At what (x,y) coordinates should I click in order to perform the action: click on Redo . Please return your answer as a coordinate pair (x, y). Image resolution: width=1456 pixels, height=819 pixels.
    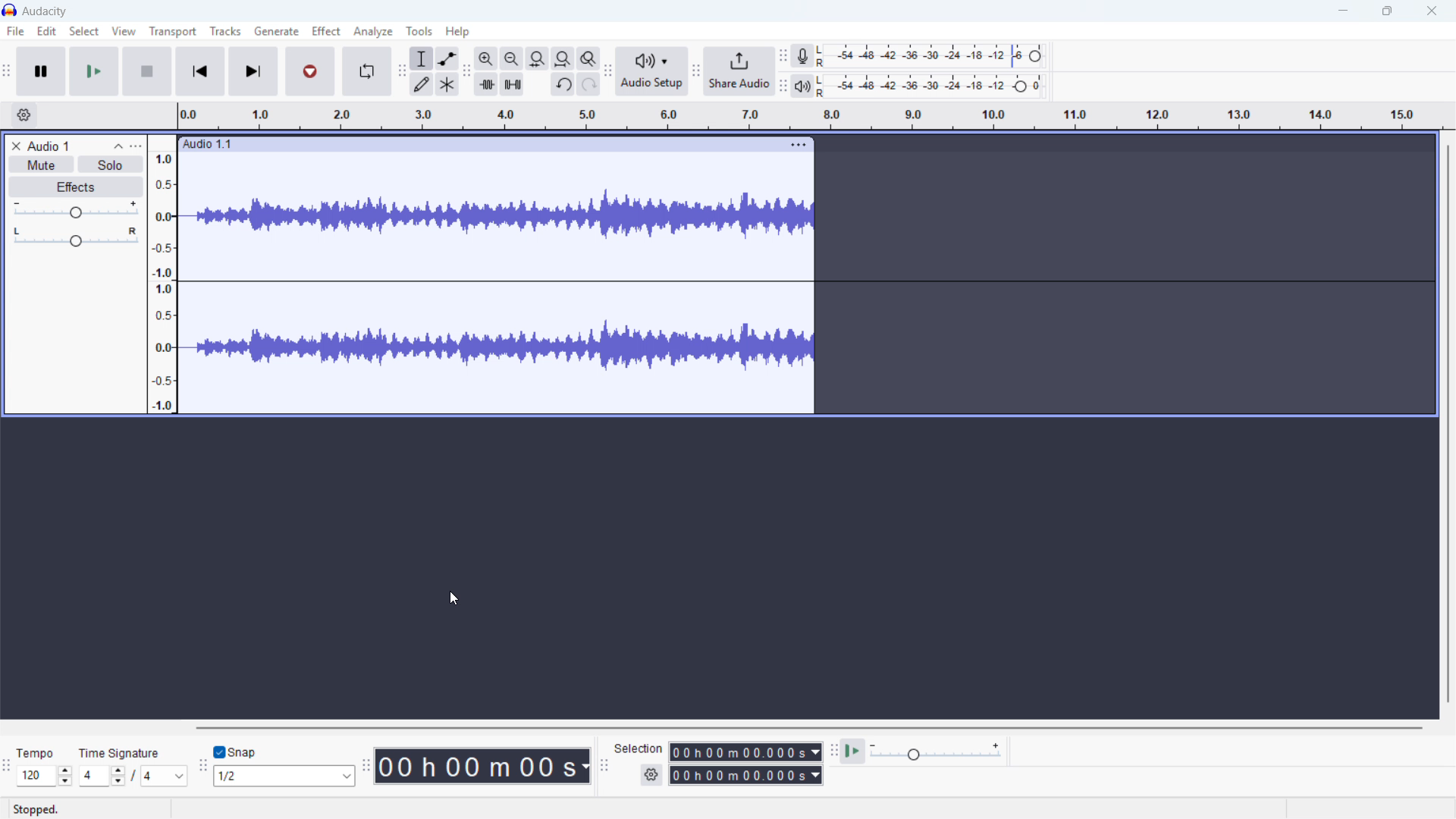
    Looking at the image, I should click on (588, 83).